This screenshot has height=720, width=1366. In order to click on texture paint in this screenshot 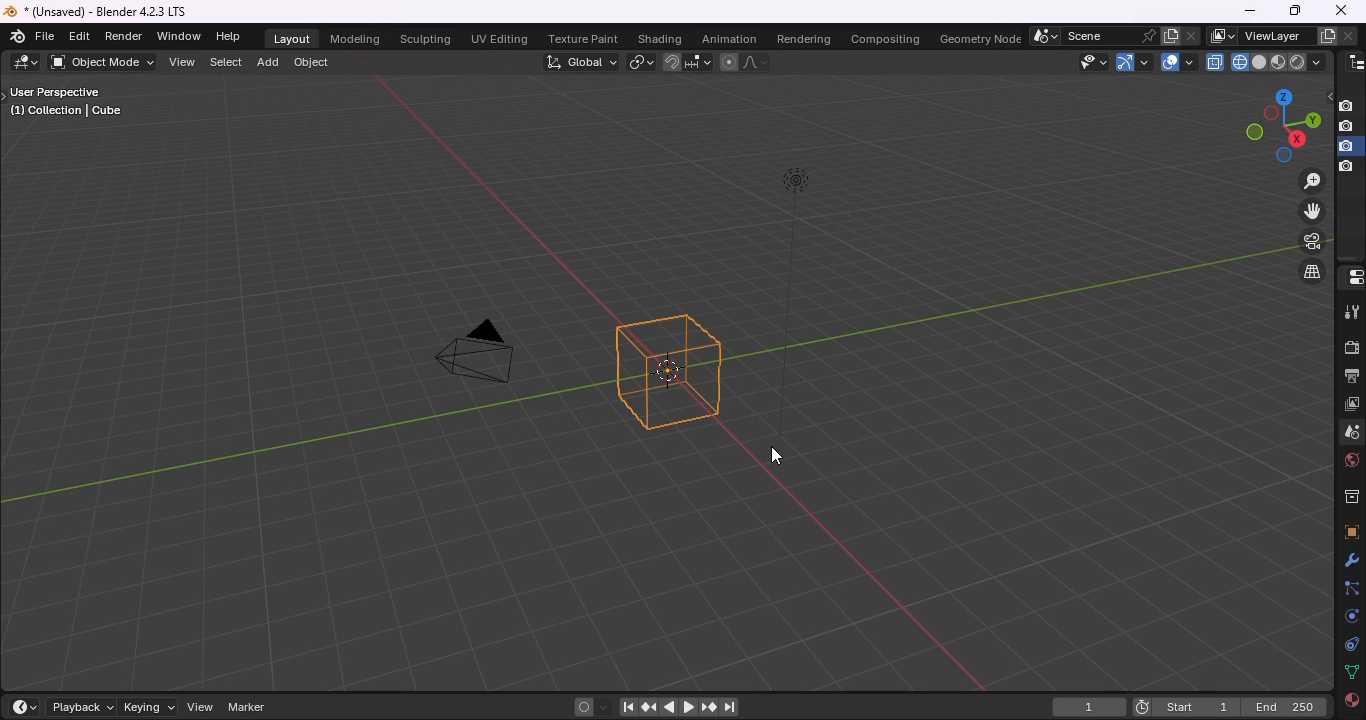, I will do `click(585, 37)`.